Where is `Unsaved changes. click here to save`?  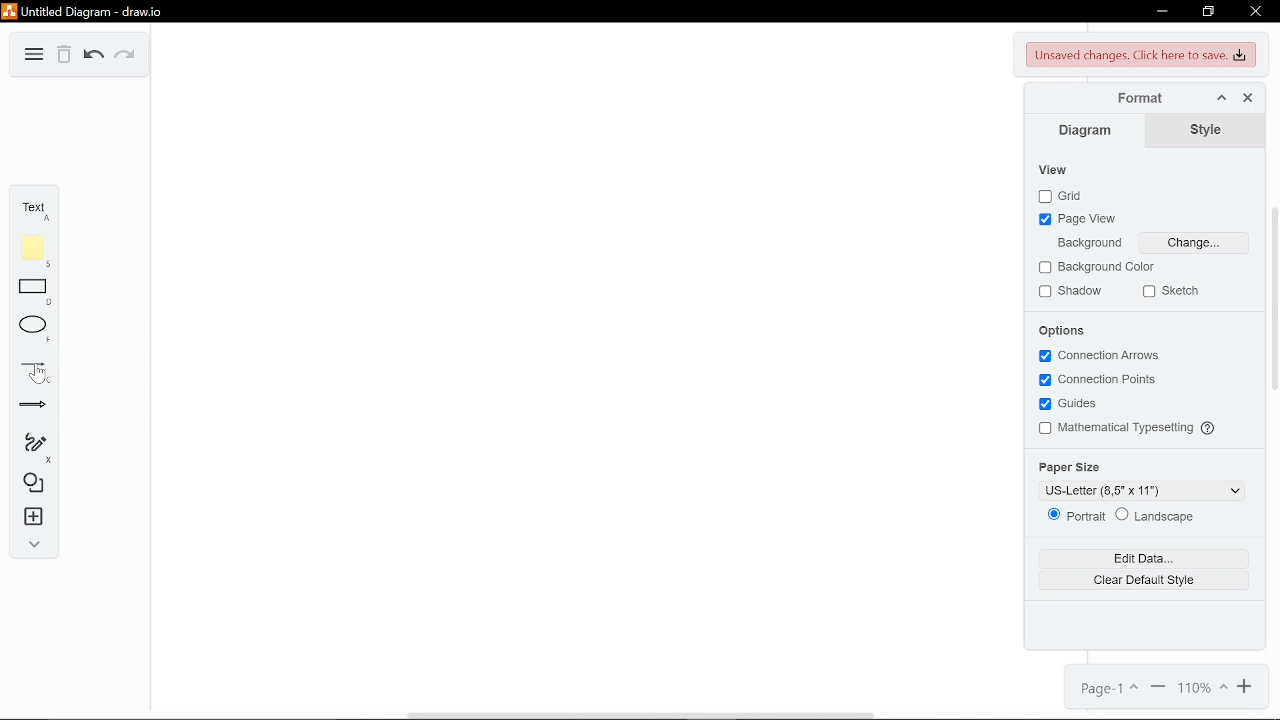 Unsaved changes. click here to save is located at coordinates (1139, 56).